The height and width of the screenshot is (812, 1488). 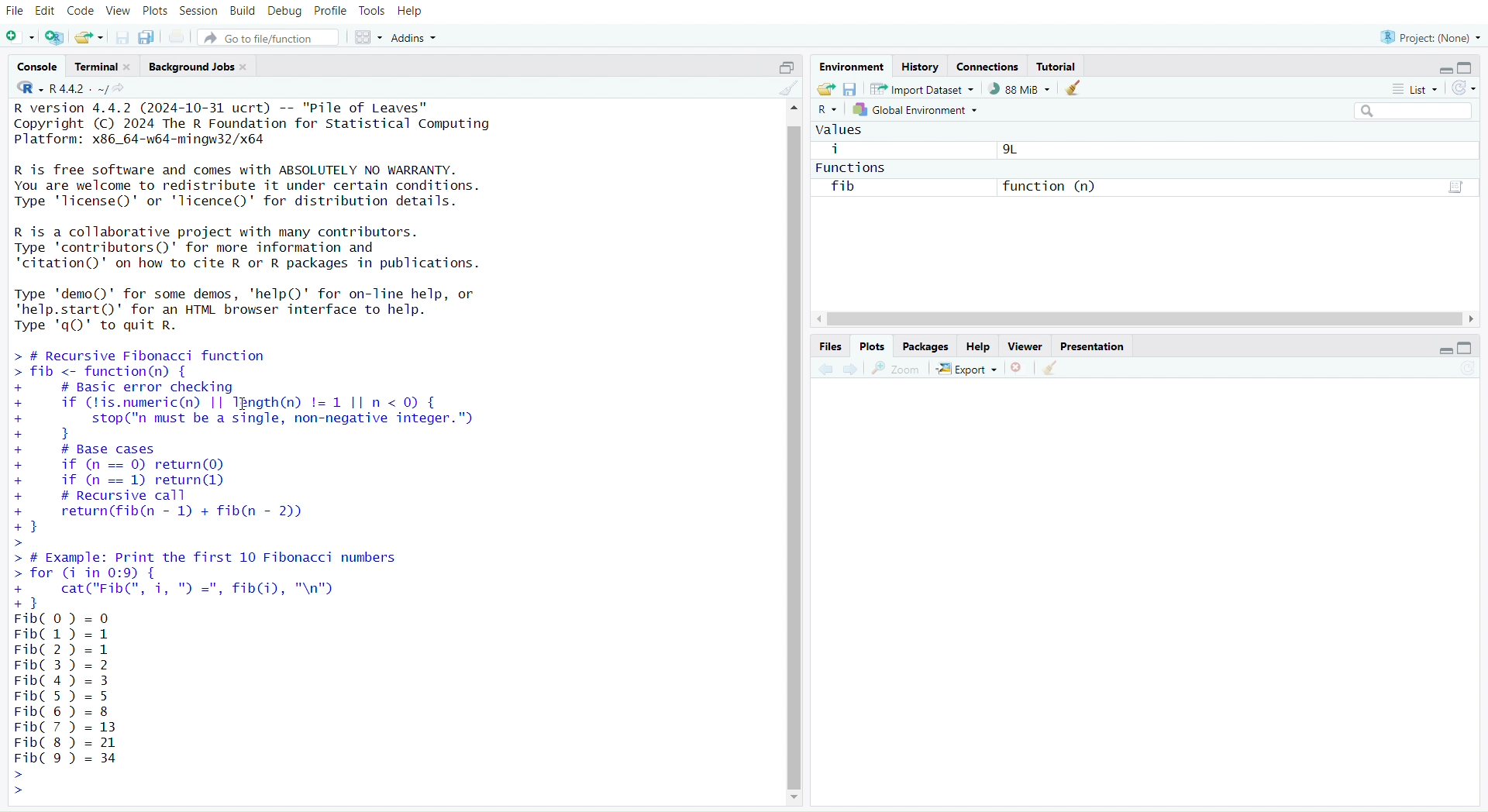 What do you see at coordinates (849, 90) in the screenshot?
I see `save workspace` at bounding box center [849, 90].